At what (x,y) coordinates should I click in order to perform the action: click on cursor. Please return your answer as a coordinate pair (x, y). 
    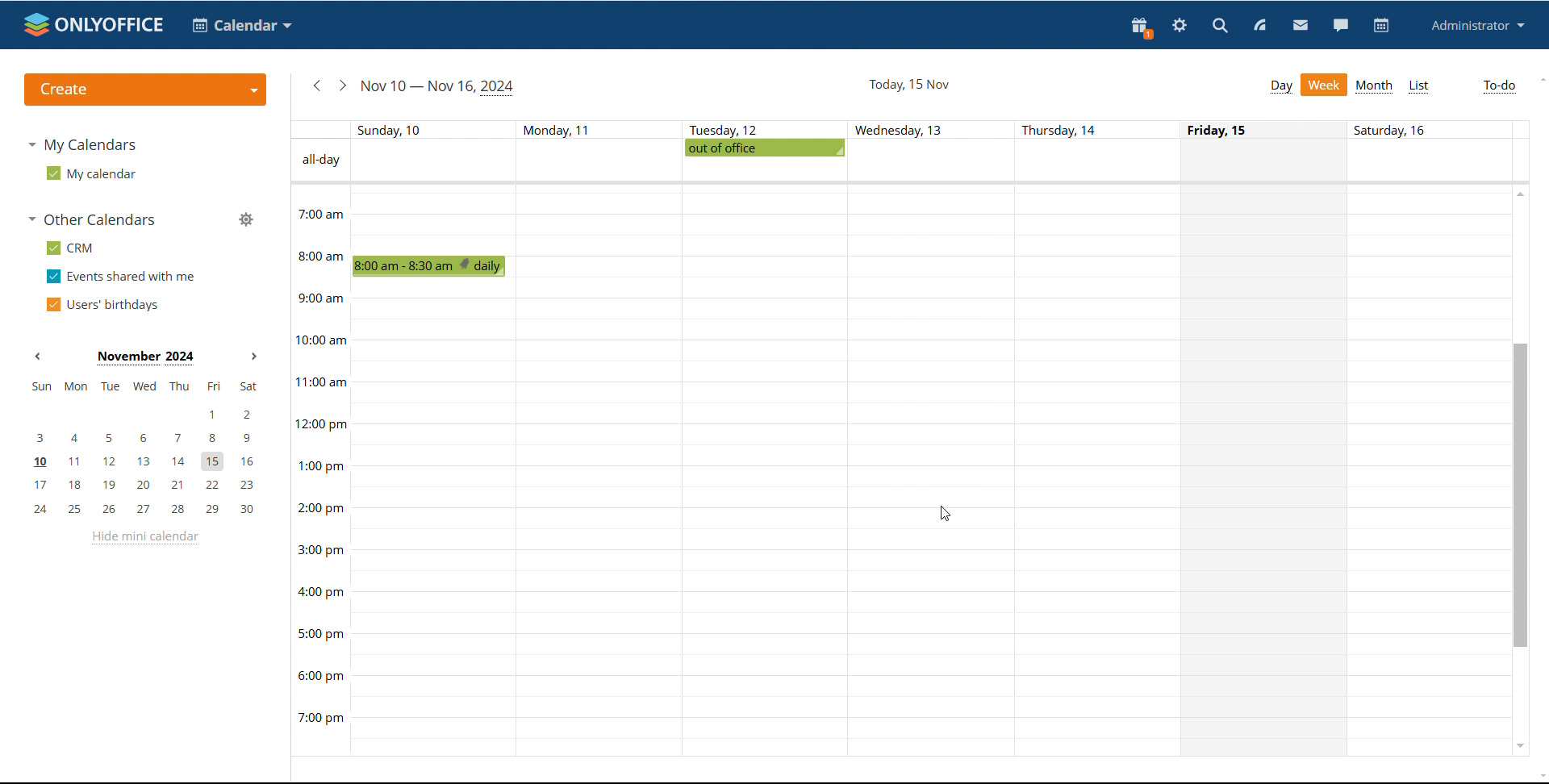
    Looking at the image, I should click on (946, 514).